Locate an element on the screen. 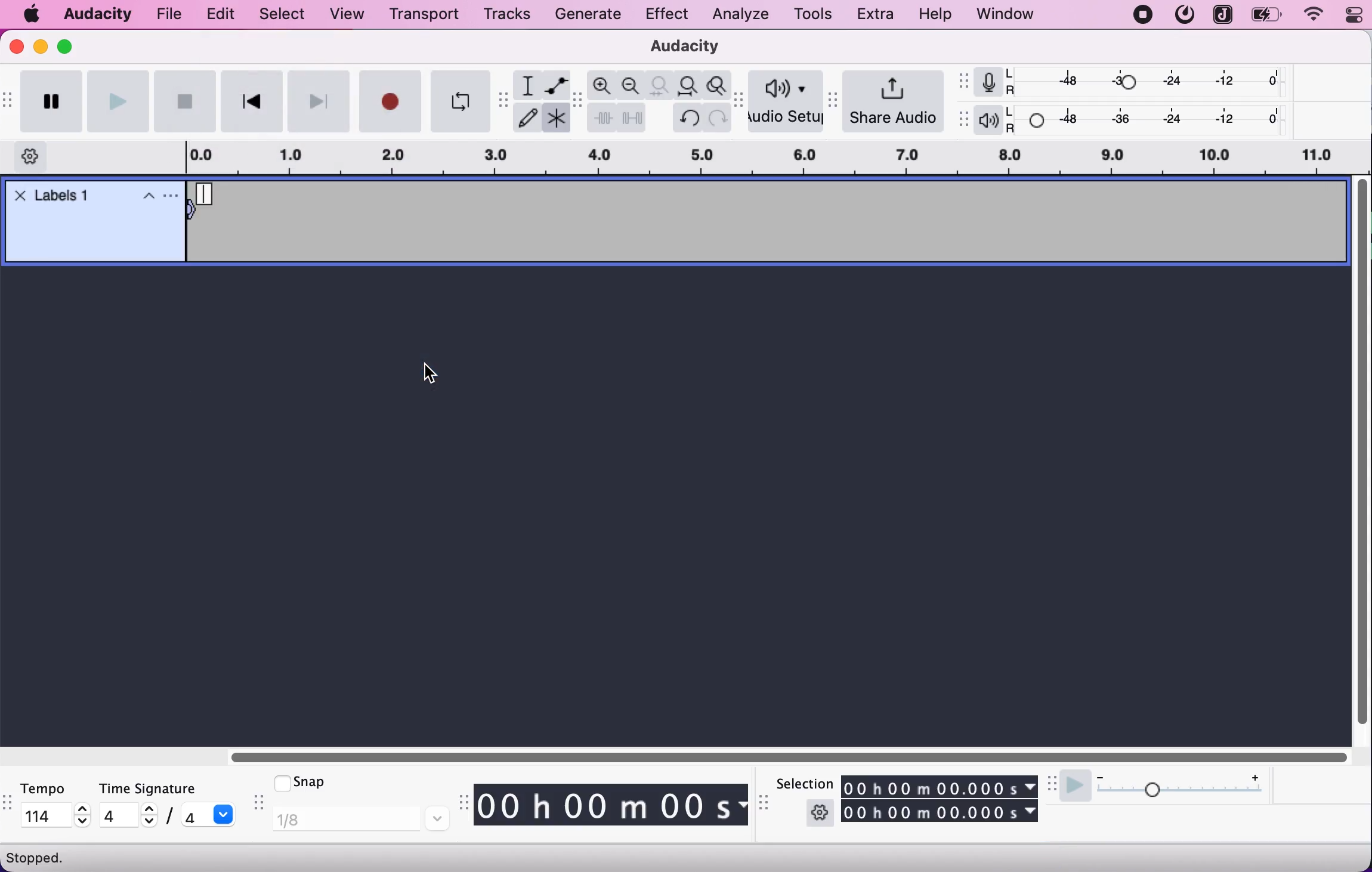  transport is located at coordinates (422, 14).